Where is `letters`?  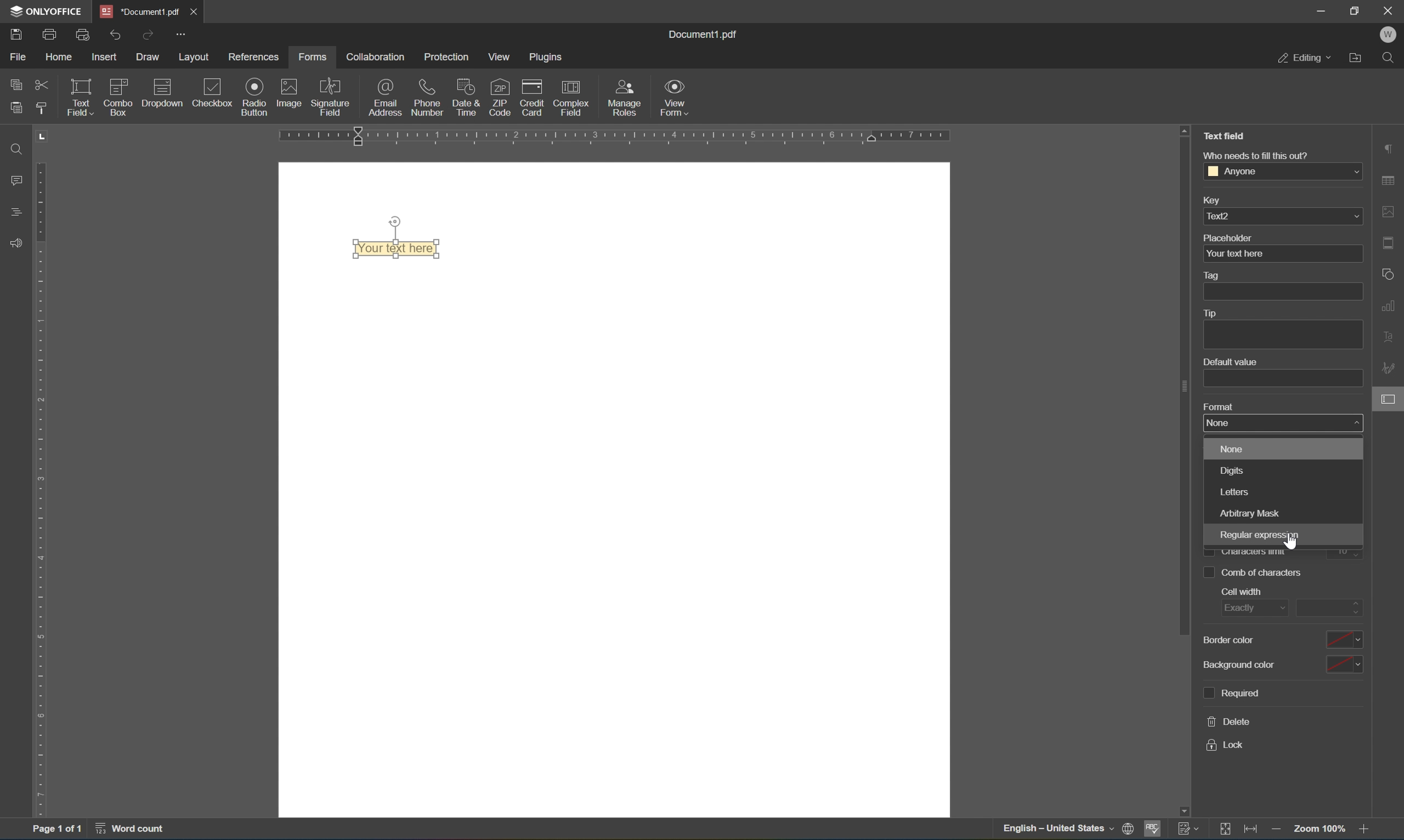 letters is located at coordinates (1238, 491).